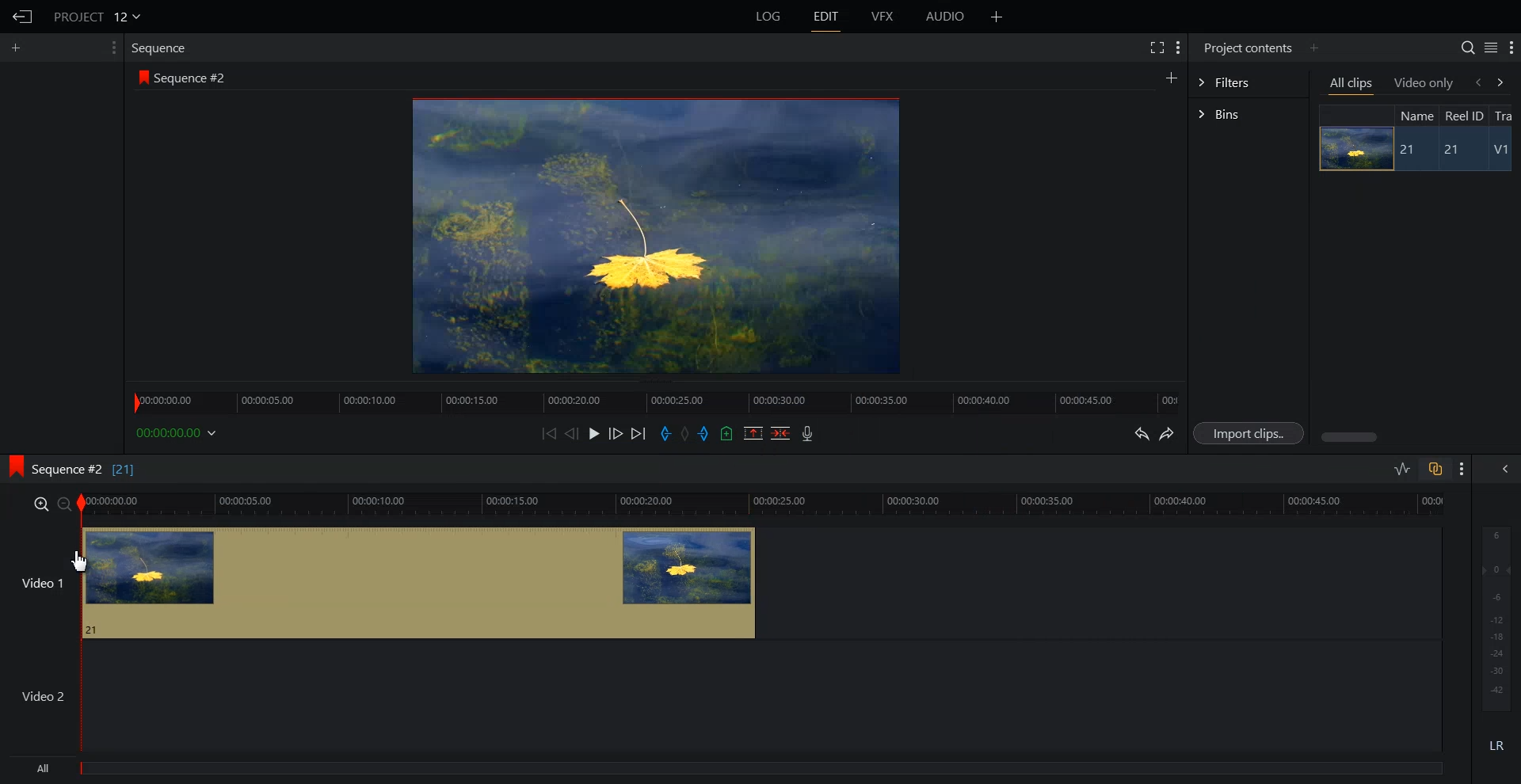 The height and width of the screenshot is (784, 1521). I want to click on Cursor, so click(82, 563).